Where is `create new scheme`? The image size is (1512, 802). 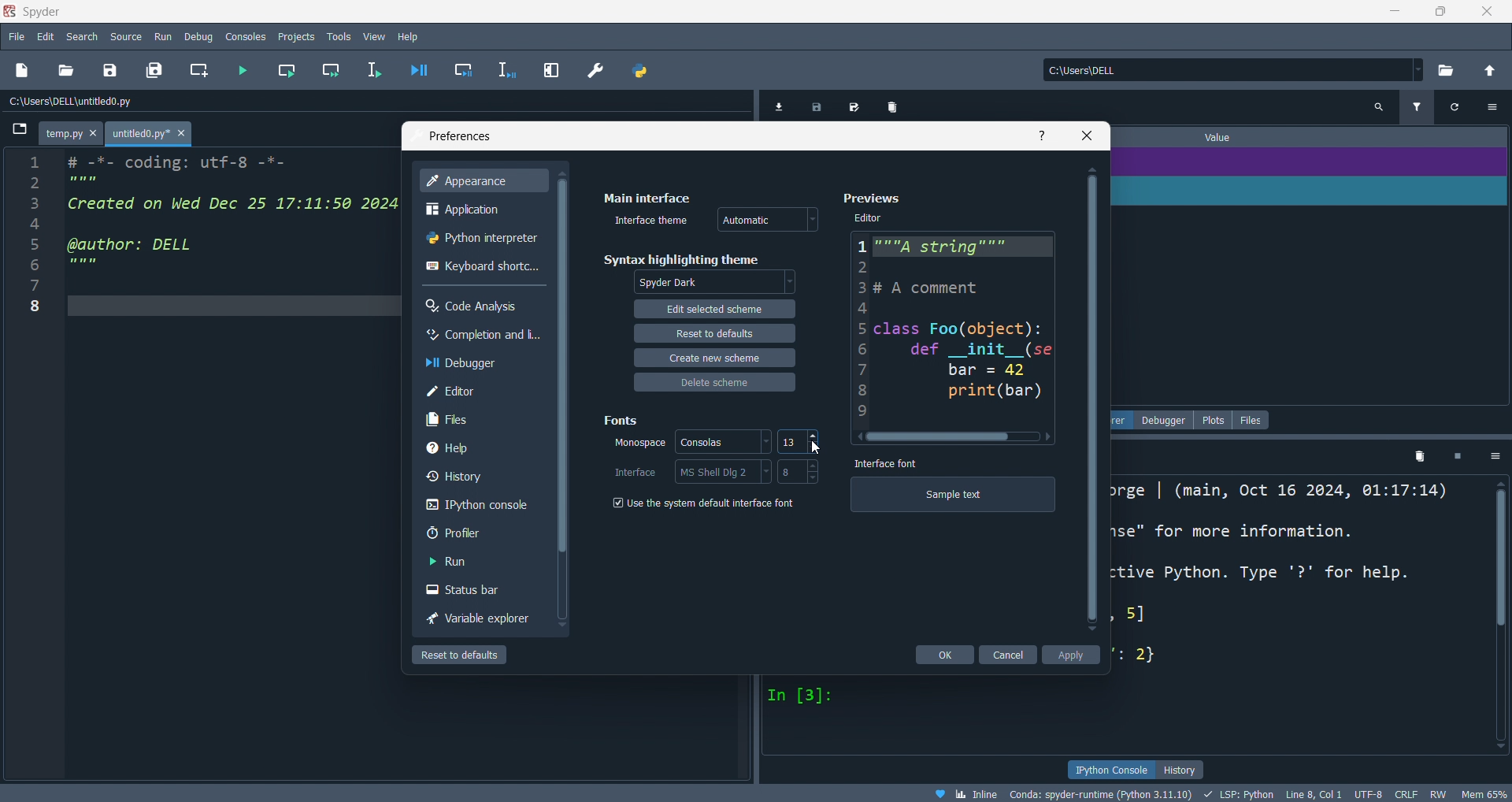
create new scheme is located at coordinates (716, 358).